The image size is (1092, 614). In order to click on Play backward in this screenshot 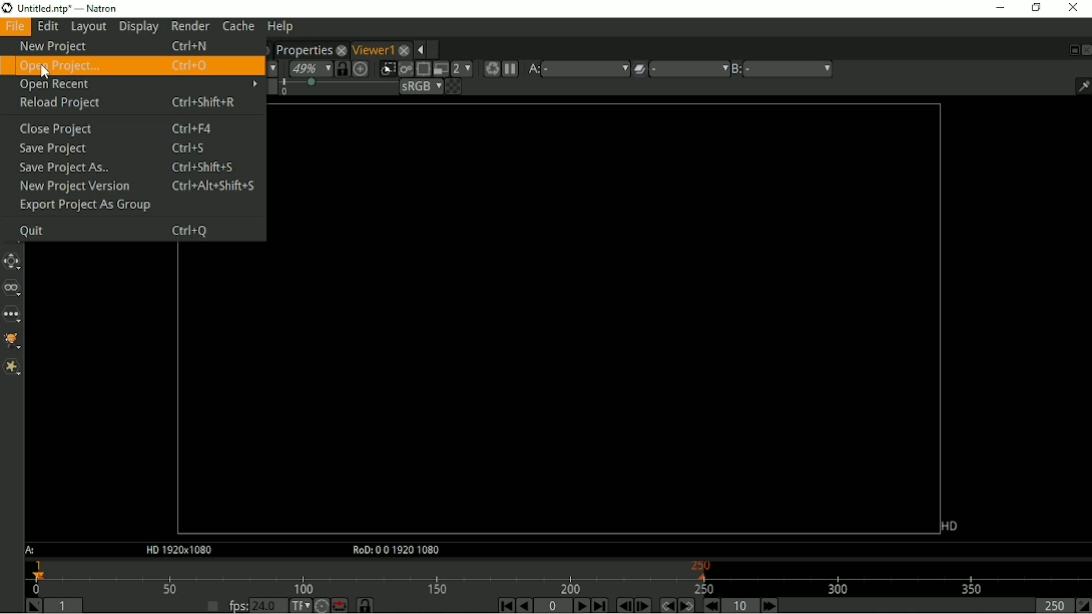, I will do `click(524, 605)`.